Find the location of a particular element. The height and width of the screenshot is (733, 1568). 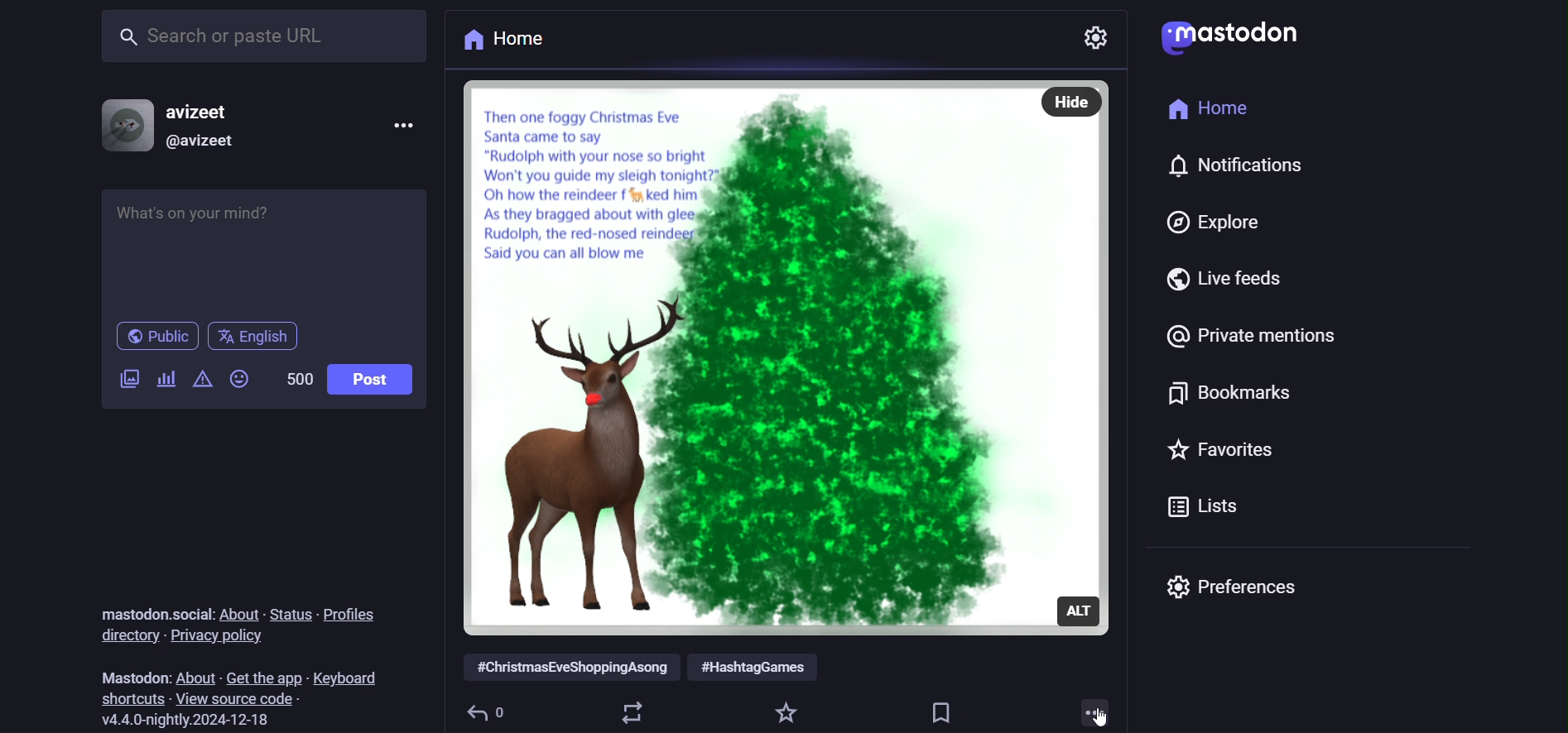

profiles is located at coordinates (354, 614).